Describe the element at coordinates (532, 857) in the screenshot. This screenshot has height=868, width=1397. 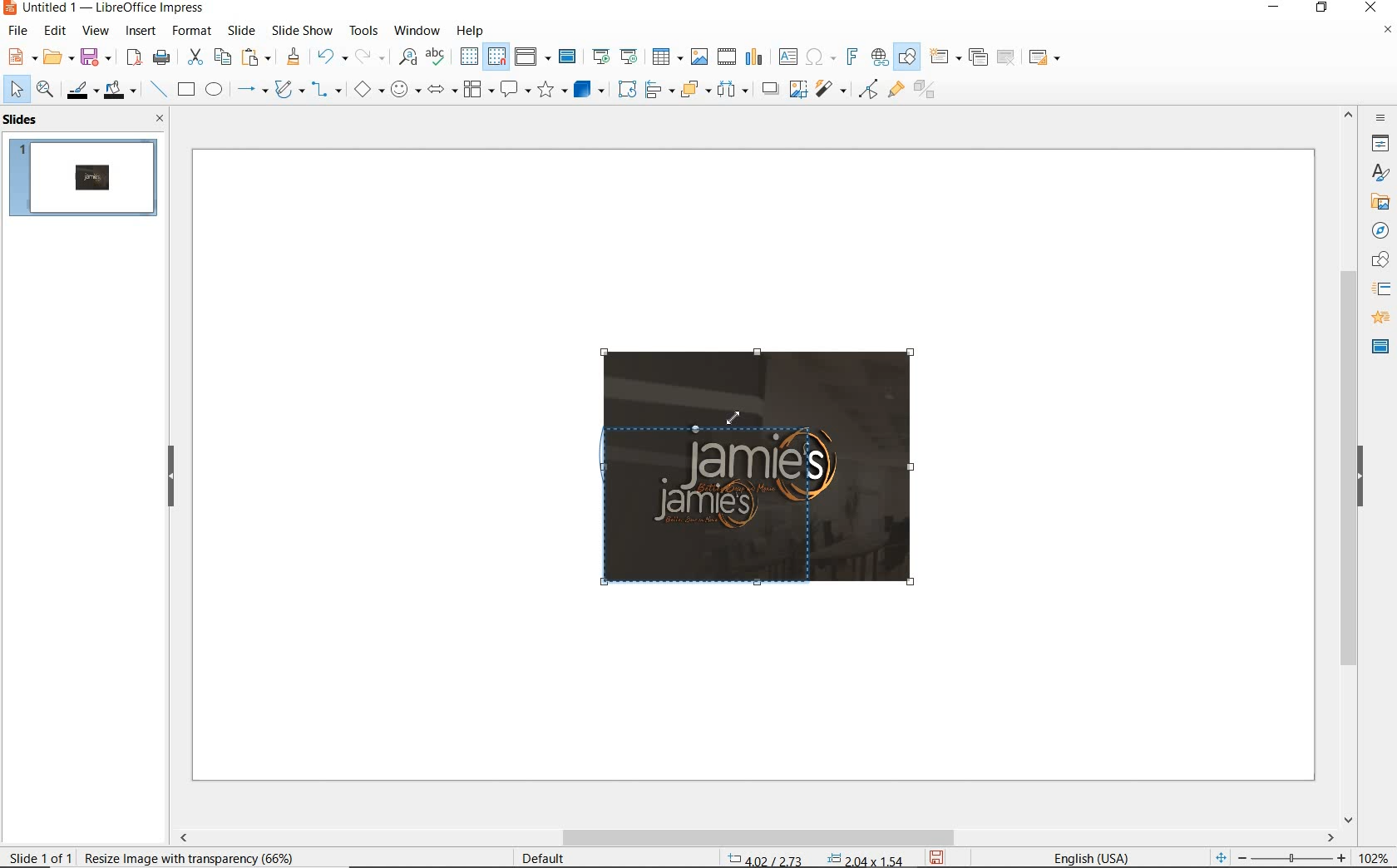
I see `default` at that location.